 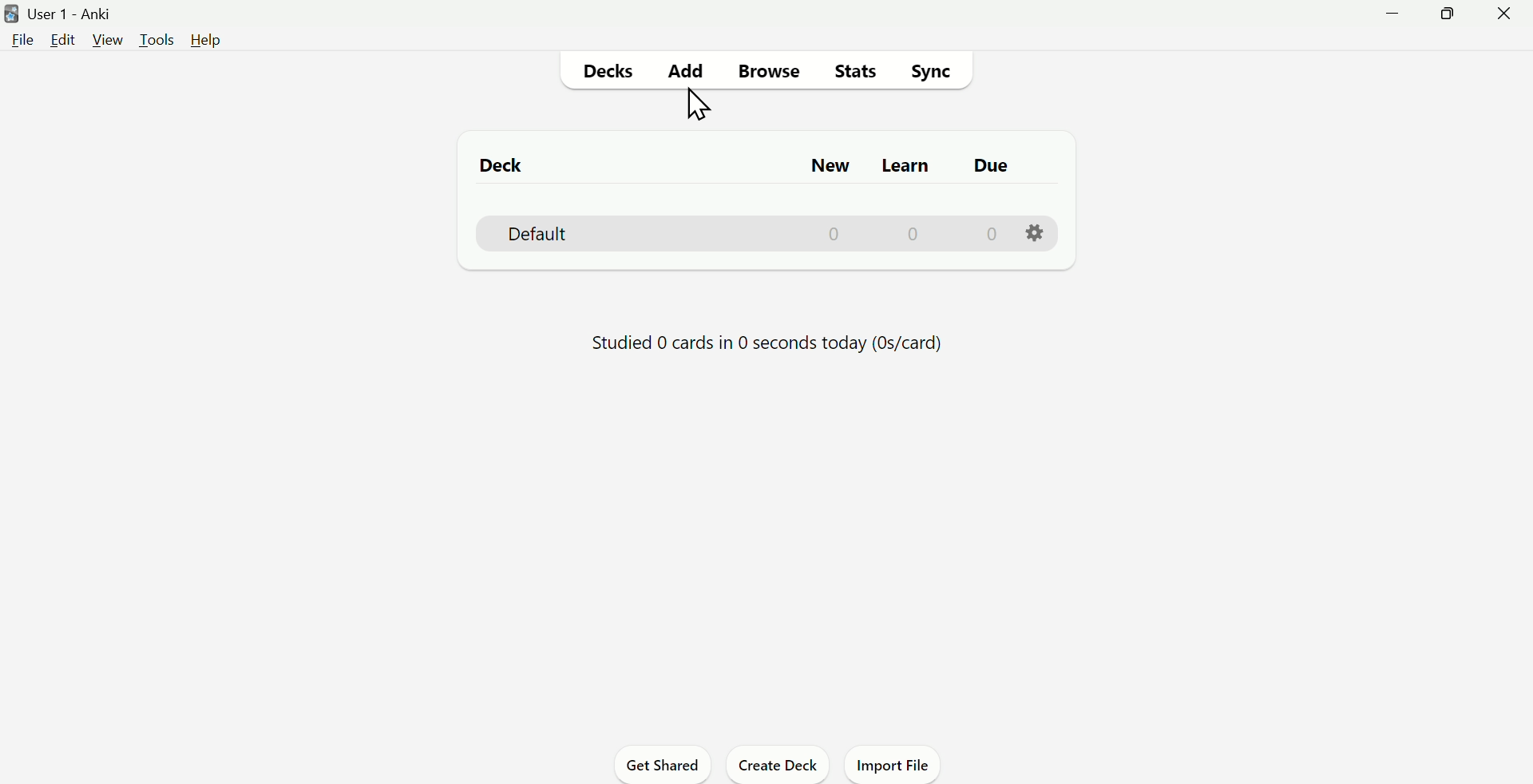 What do you see at coordinates (74, 14) in the screenshot?
I see `User 1 - Anki` at bounding box center [74, 14].